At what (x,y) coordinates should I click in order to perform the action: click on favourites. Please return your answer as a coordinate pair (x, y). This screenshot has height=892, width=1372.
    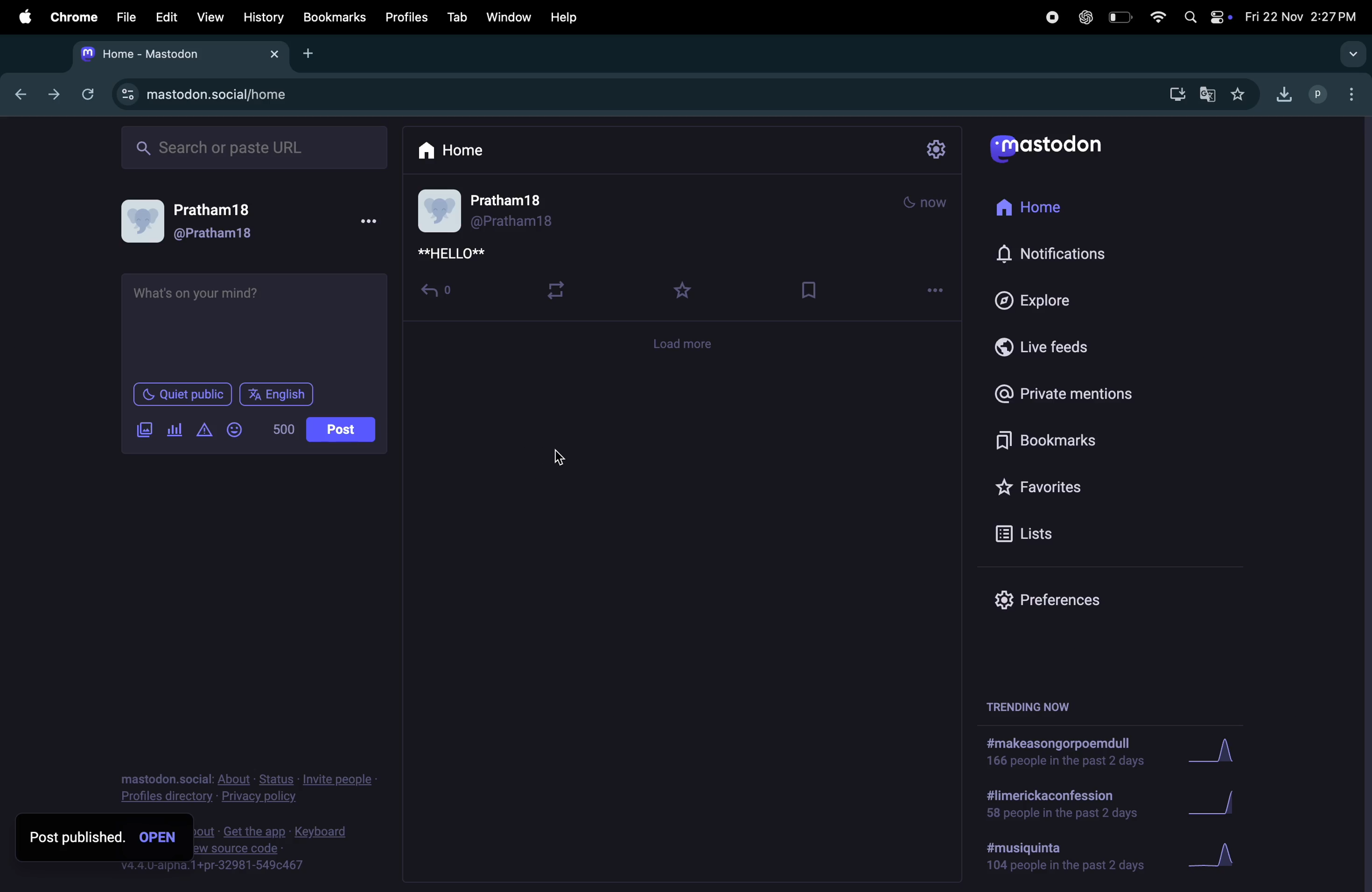
    Looking at the image, I should click on (1239, 95).